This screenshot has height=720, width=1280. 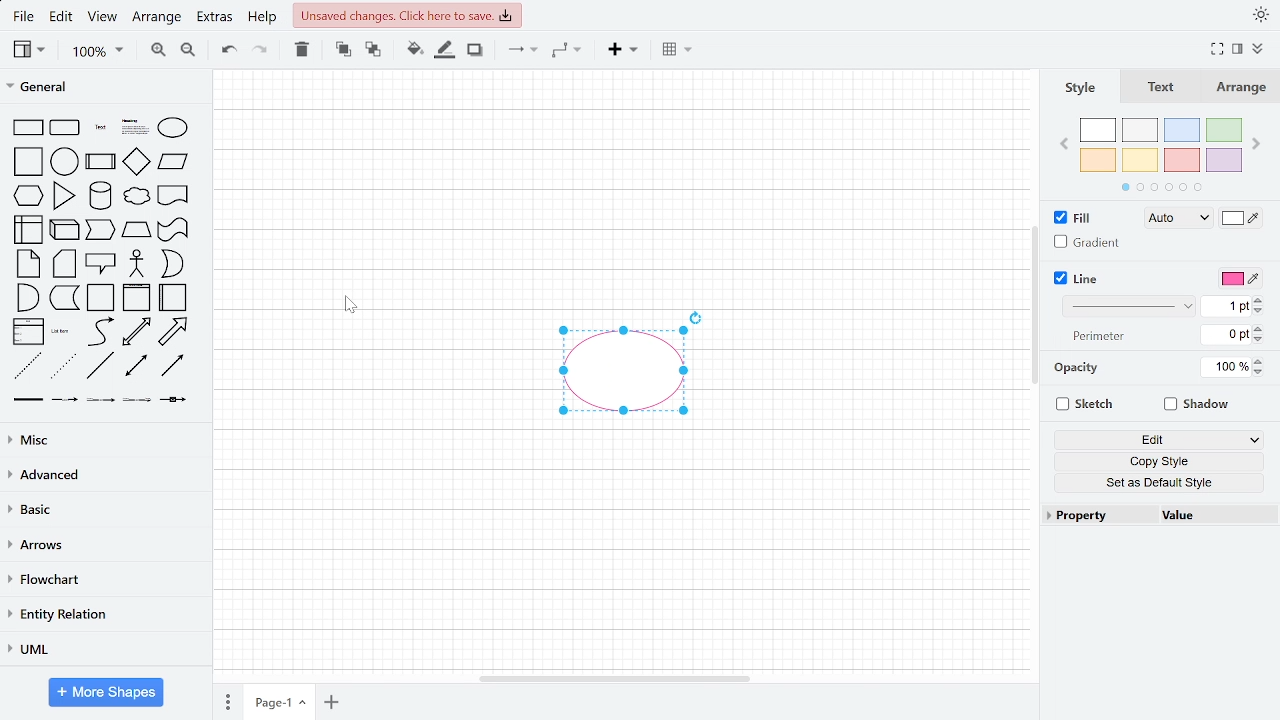 I want to click on cloud, so click(x=137, y=197).